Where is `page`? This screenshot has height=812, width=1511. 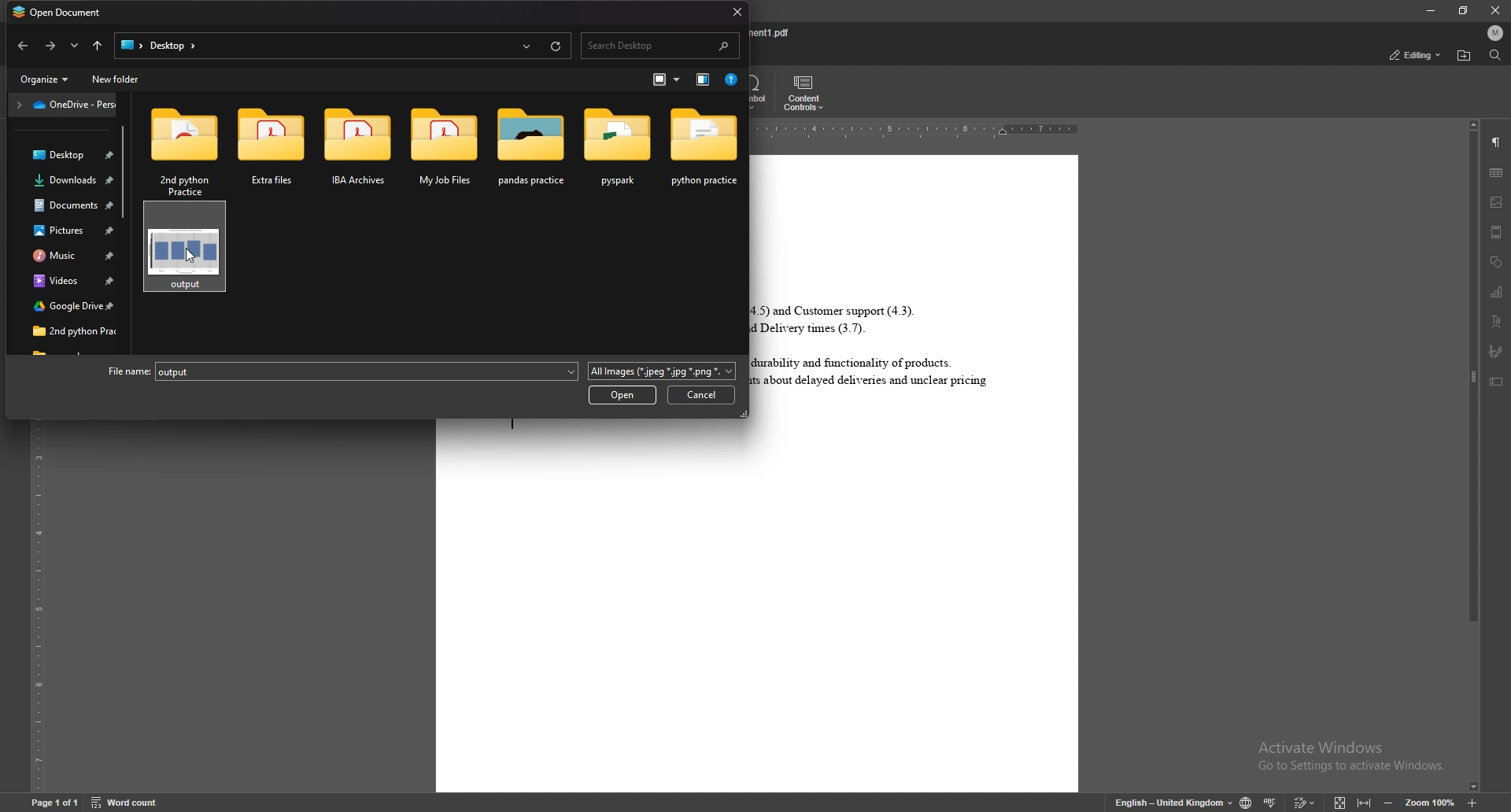
page is located at coordinates (54, 801).